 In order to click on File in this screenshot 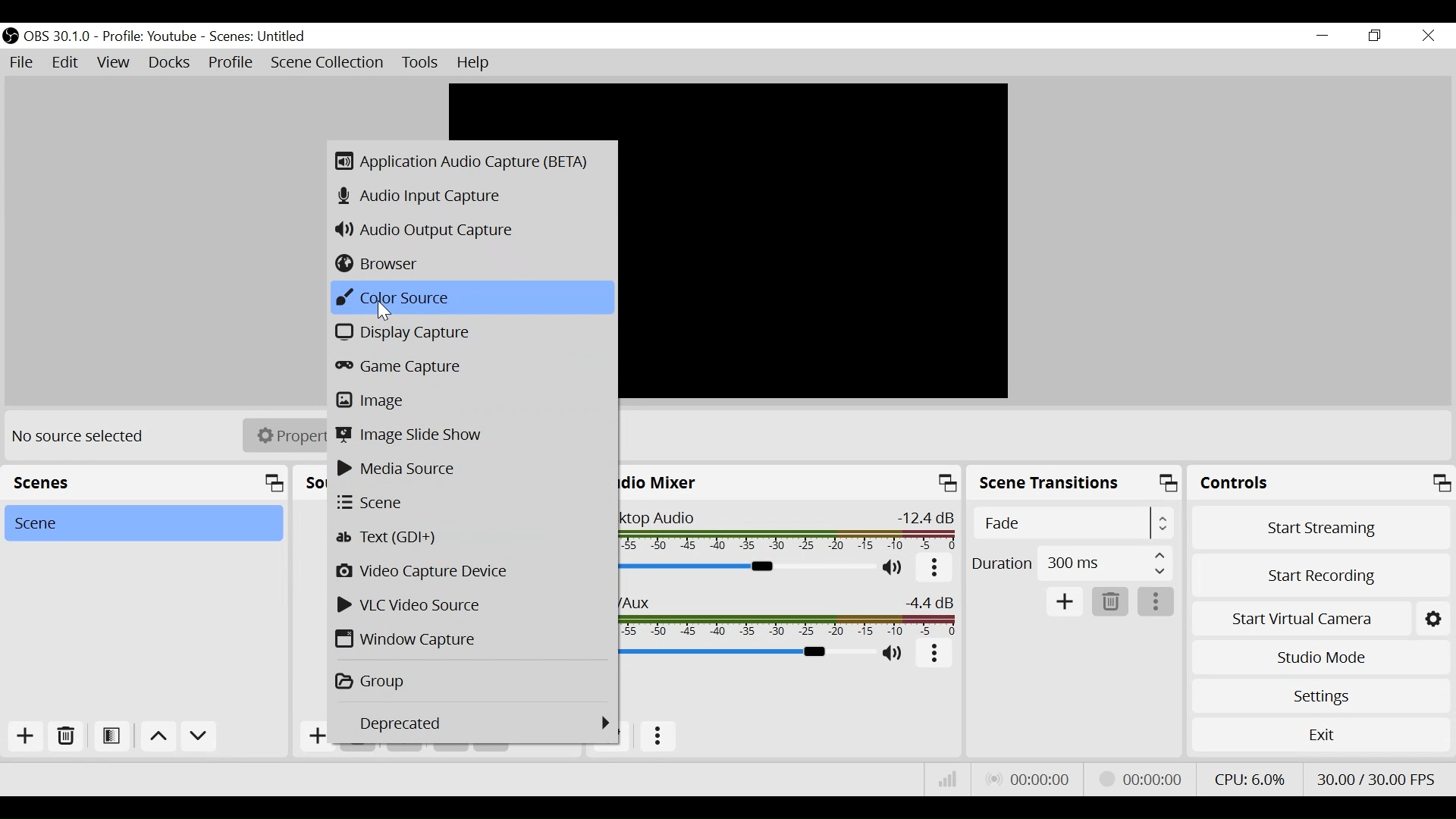, I will do `click(20, 61)`.